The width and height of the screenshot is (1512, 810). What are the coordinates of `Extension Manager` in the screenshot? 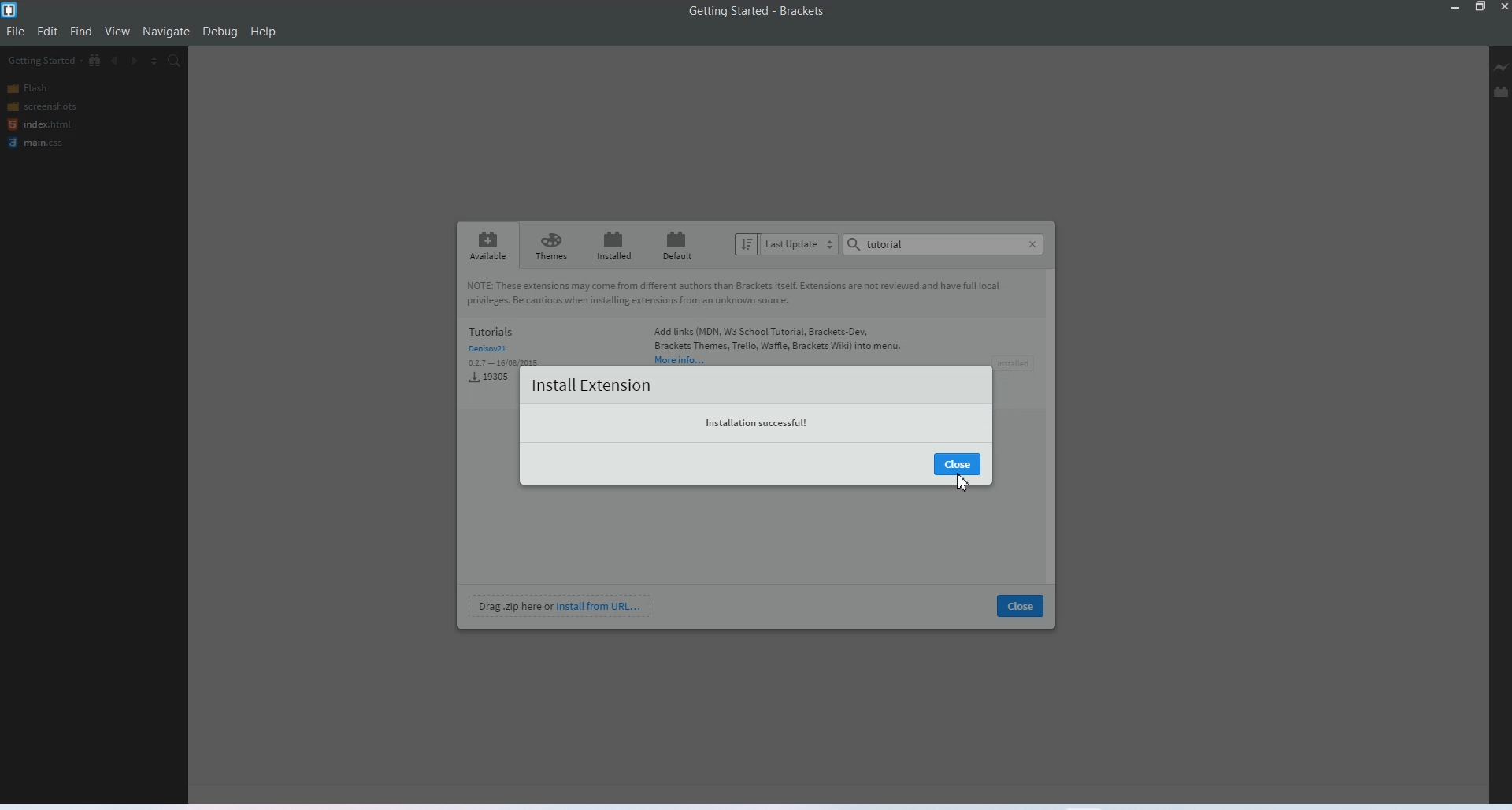 It's located at (1502, 91).